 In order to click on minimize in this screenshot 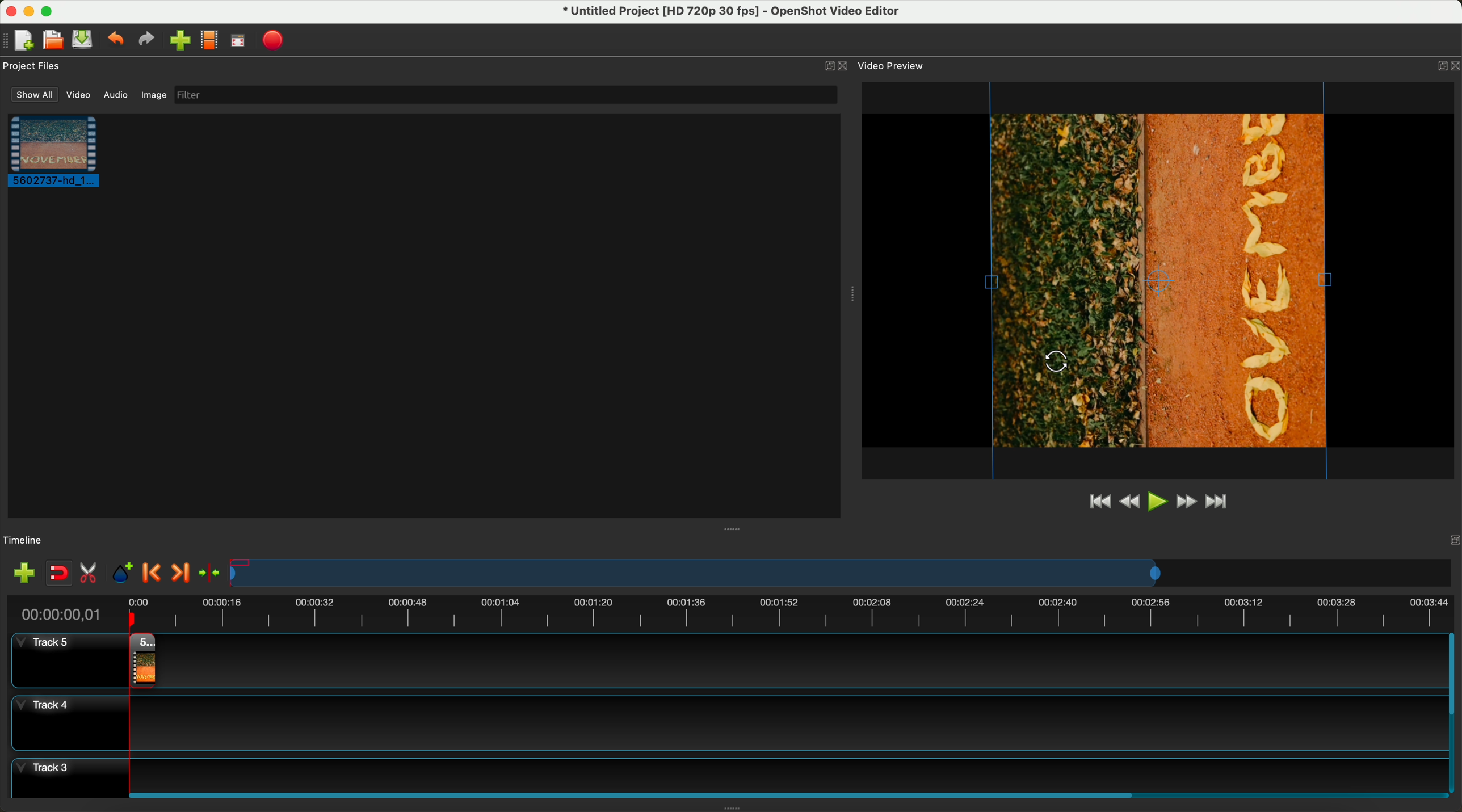, I will do `click(823, 67)`.